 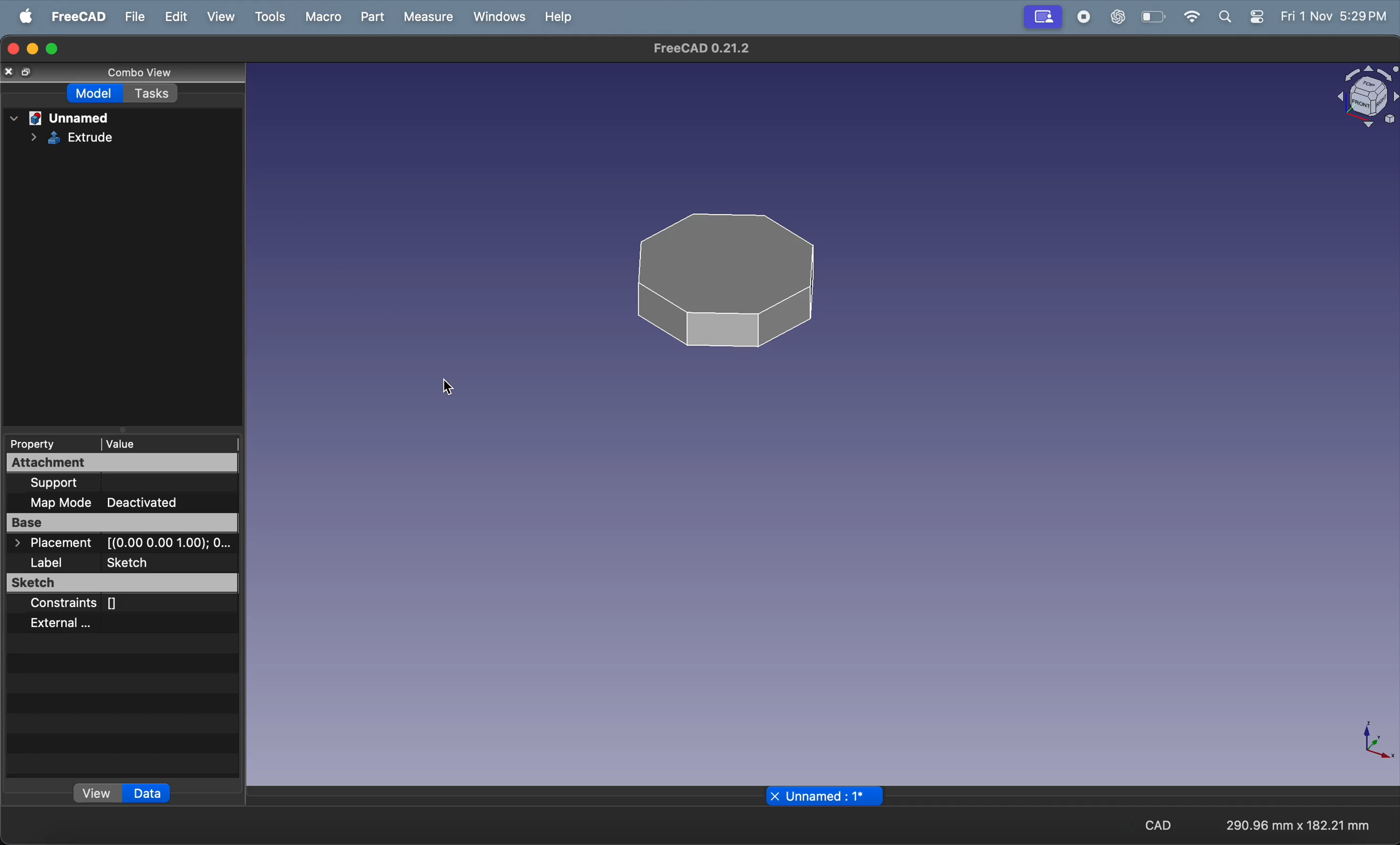 I want to click on free CAD, so click(x=74, y=16).